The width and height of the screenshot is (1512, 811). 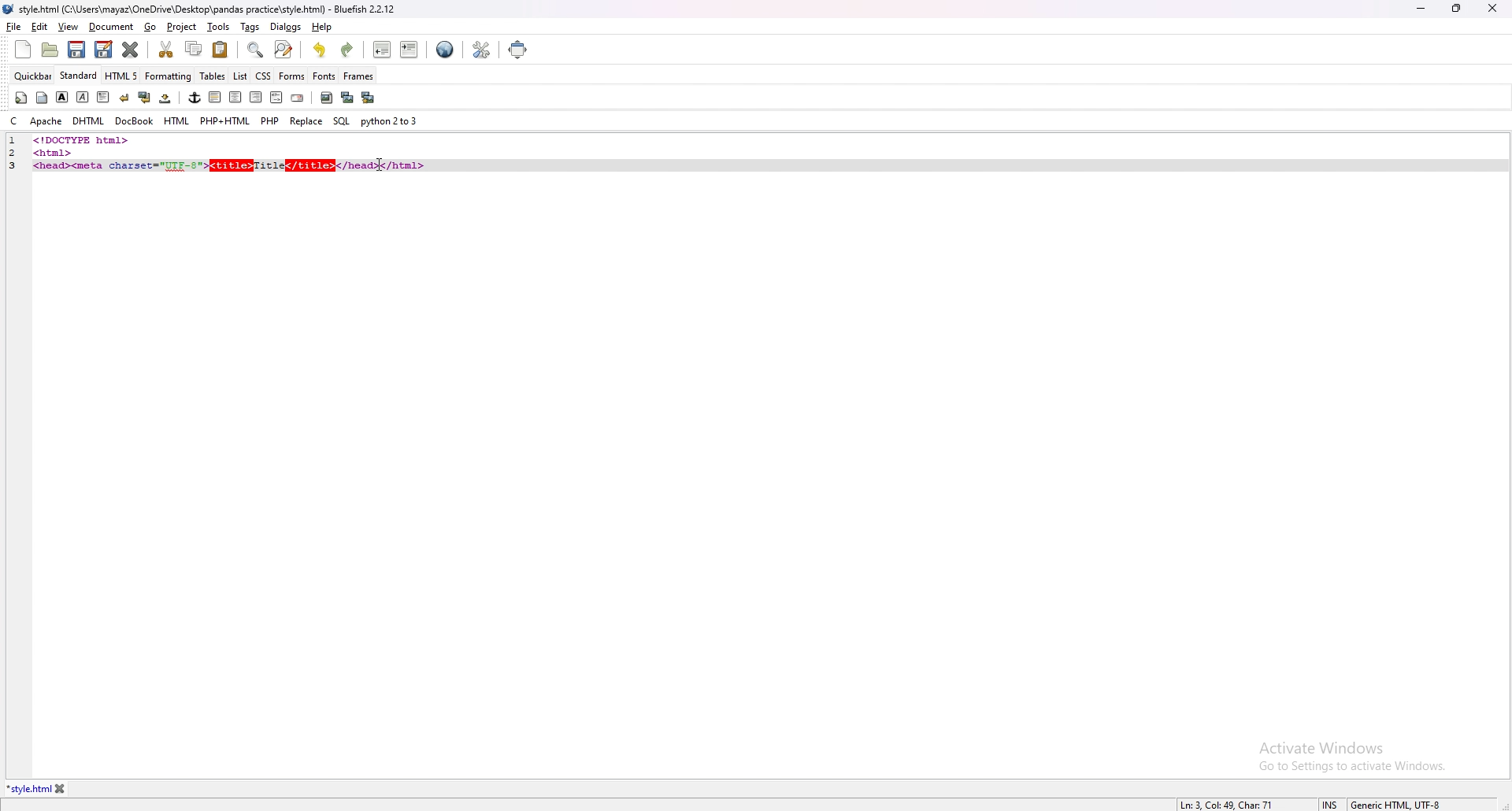 What do you see at coordinates (346, 98) in the screenshot?
I see `insert thumbnail` at bounding box center [346, 98].